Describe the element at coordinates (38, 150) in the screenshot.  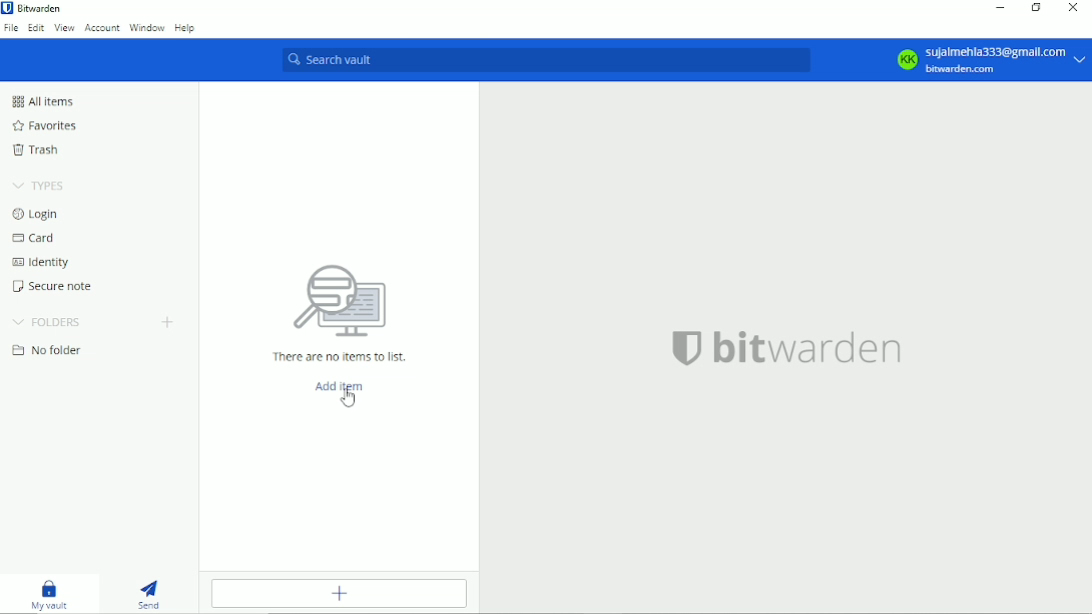
I see `Trash` at that location.